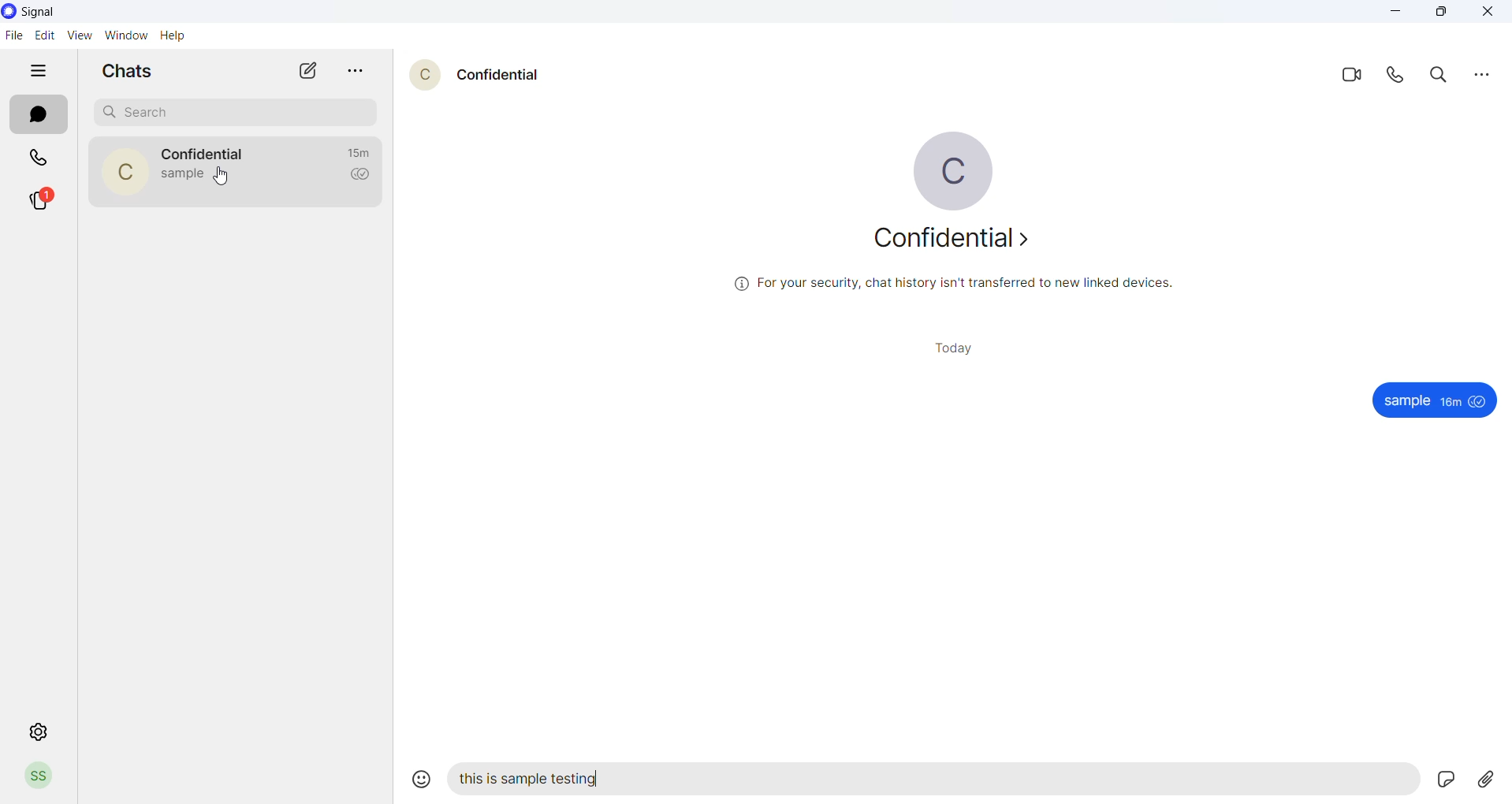  What do you see at coordinates (297, 71) in the screenshot?
I see `new chat` at bounding box center [297, 71].